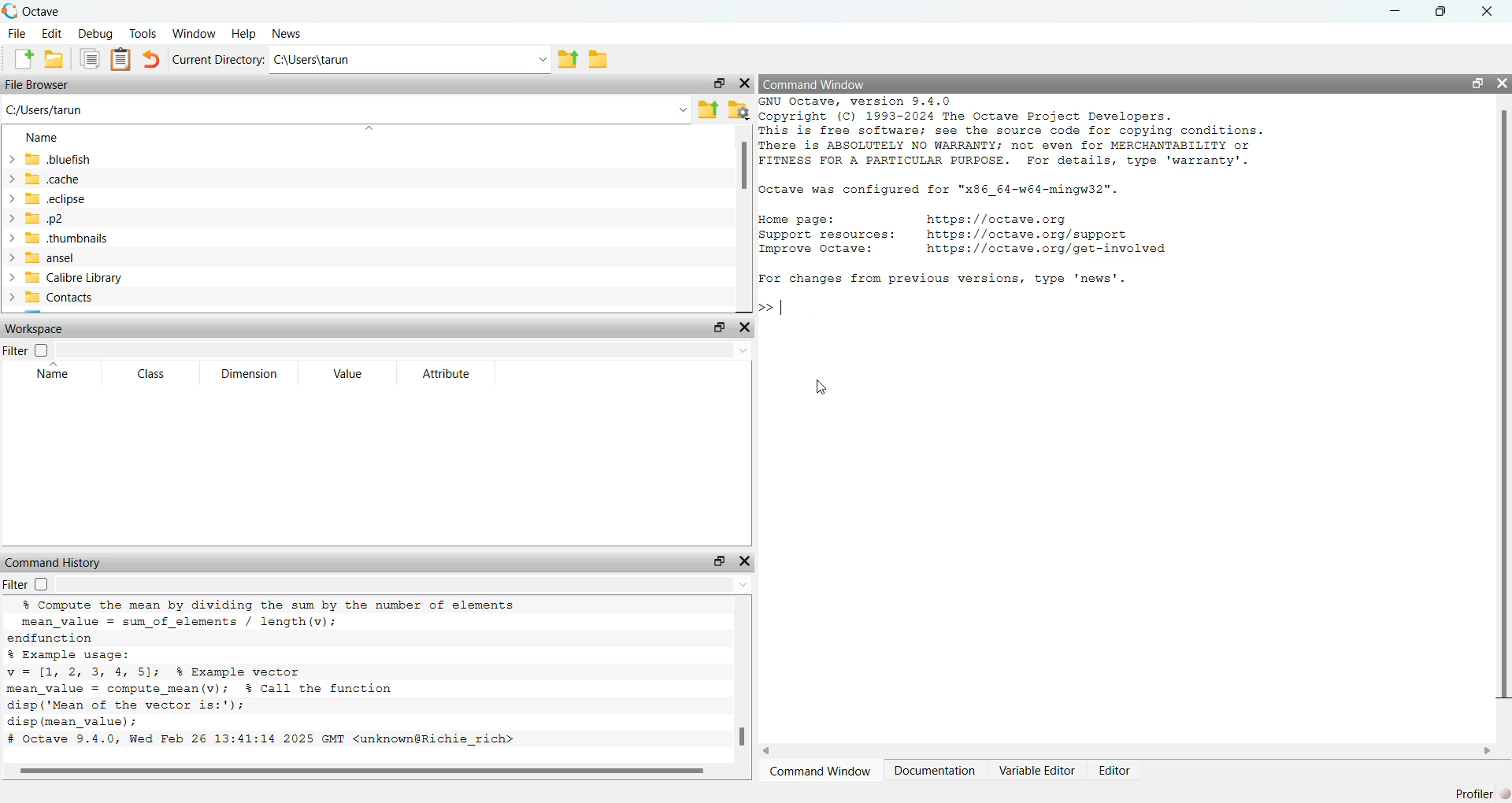 Image resolution: width=1512 pixels, height=803 pixels. I want to click on debug, so click(97, 34).